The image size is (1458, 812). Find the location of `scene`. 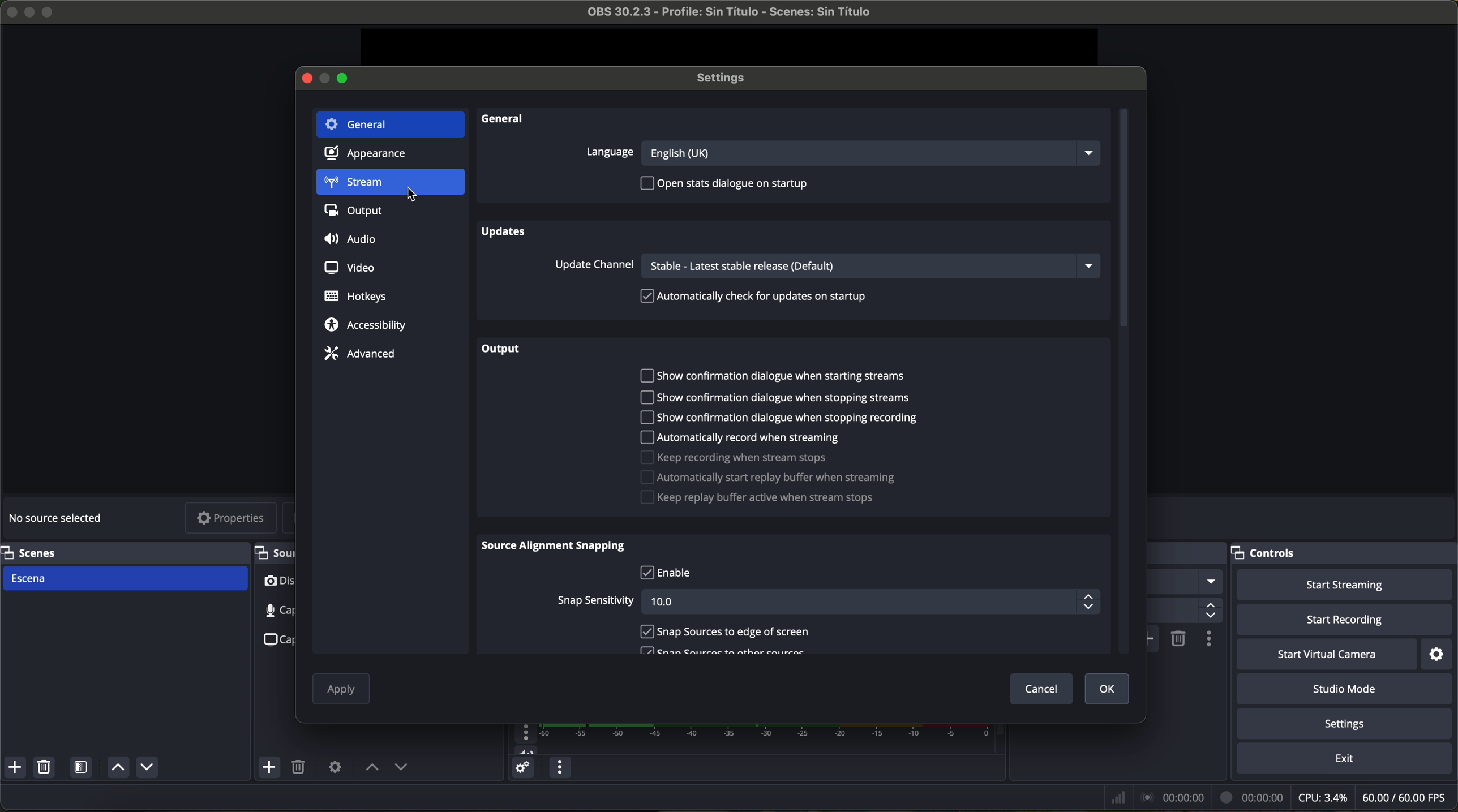

scene is located at coordinates (126, 578).